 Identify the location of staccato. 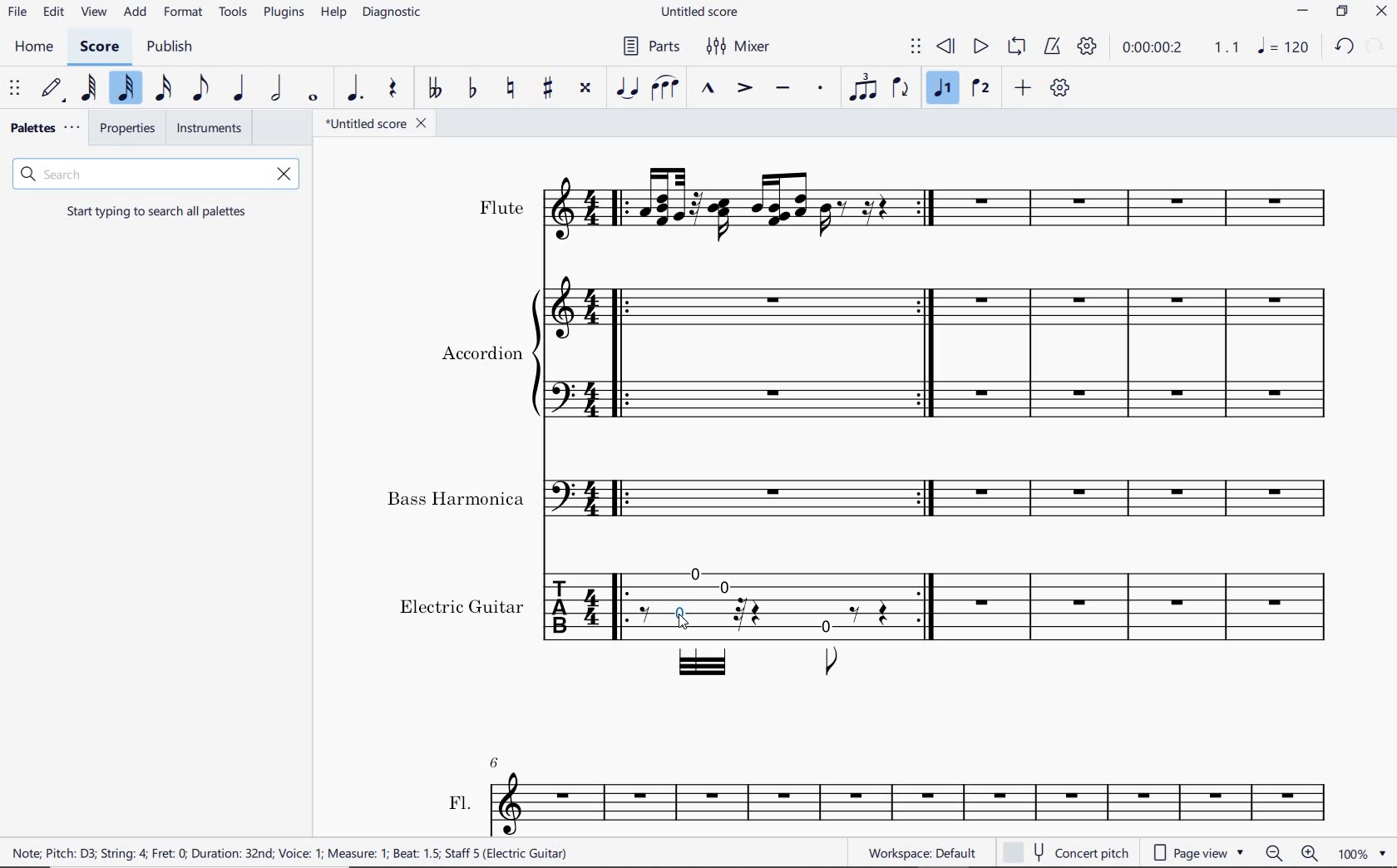
(821, 89).